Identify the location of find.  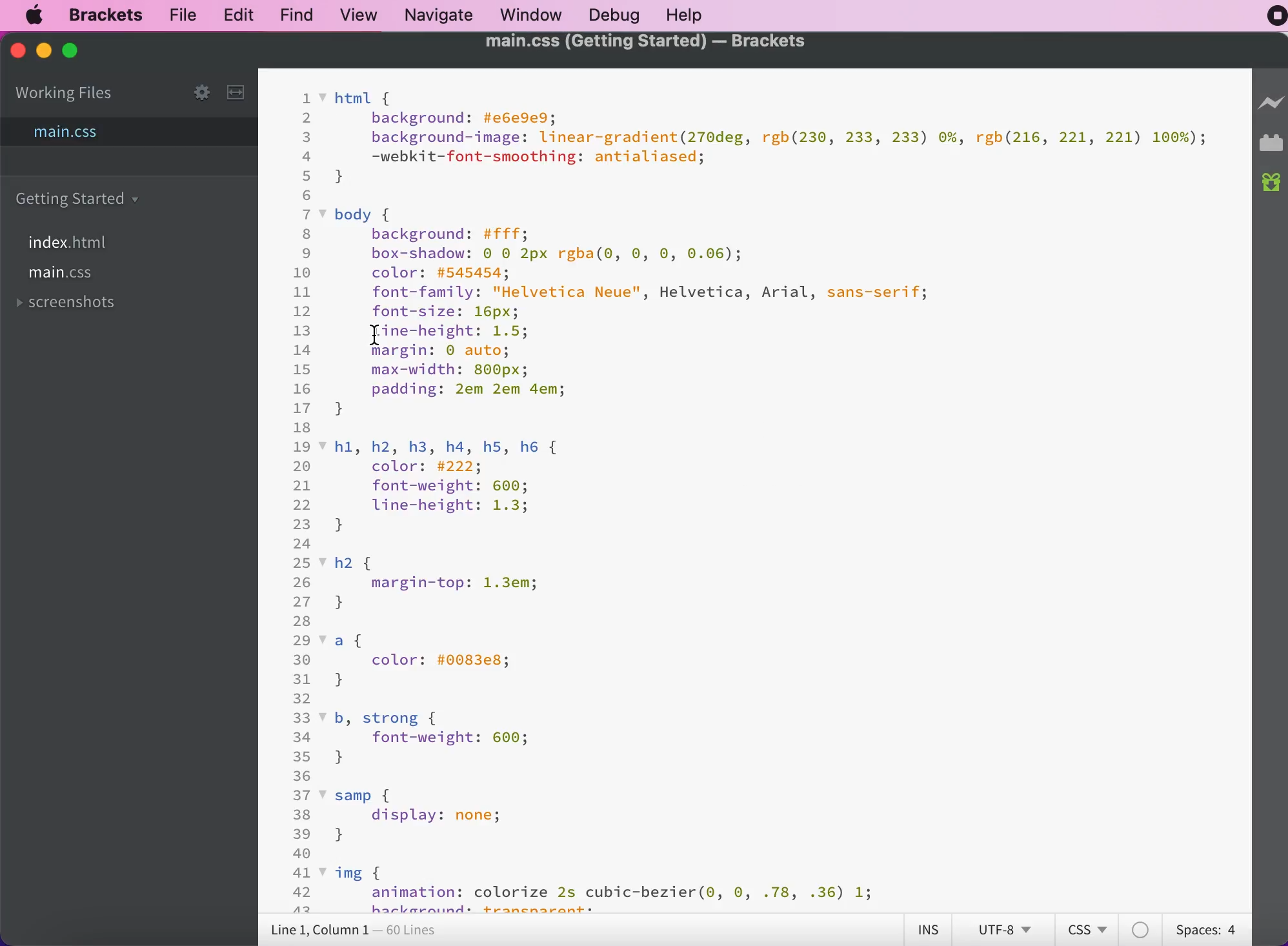
(300, 15).